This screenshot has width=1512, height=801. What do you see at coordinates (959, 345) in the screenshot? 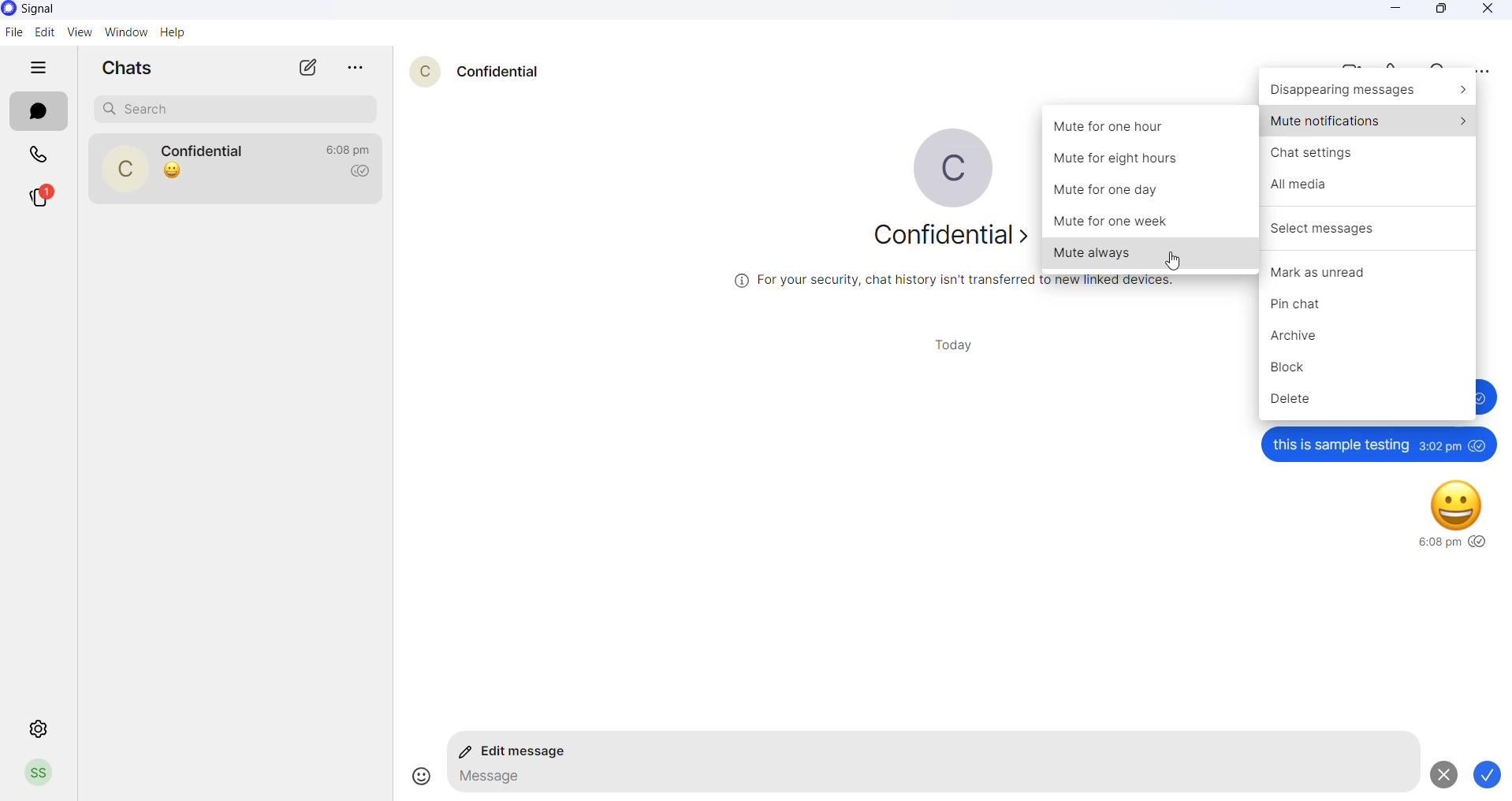
I see `today heading` at bounding box center [959, 345].